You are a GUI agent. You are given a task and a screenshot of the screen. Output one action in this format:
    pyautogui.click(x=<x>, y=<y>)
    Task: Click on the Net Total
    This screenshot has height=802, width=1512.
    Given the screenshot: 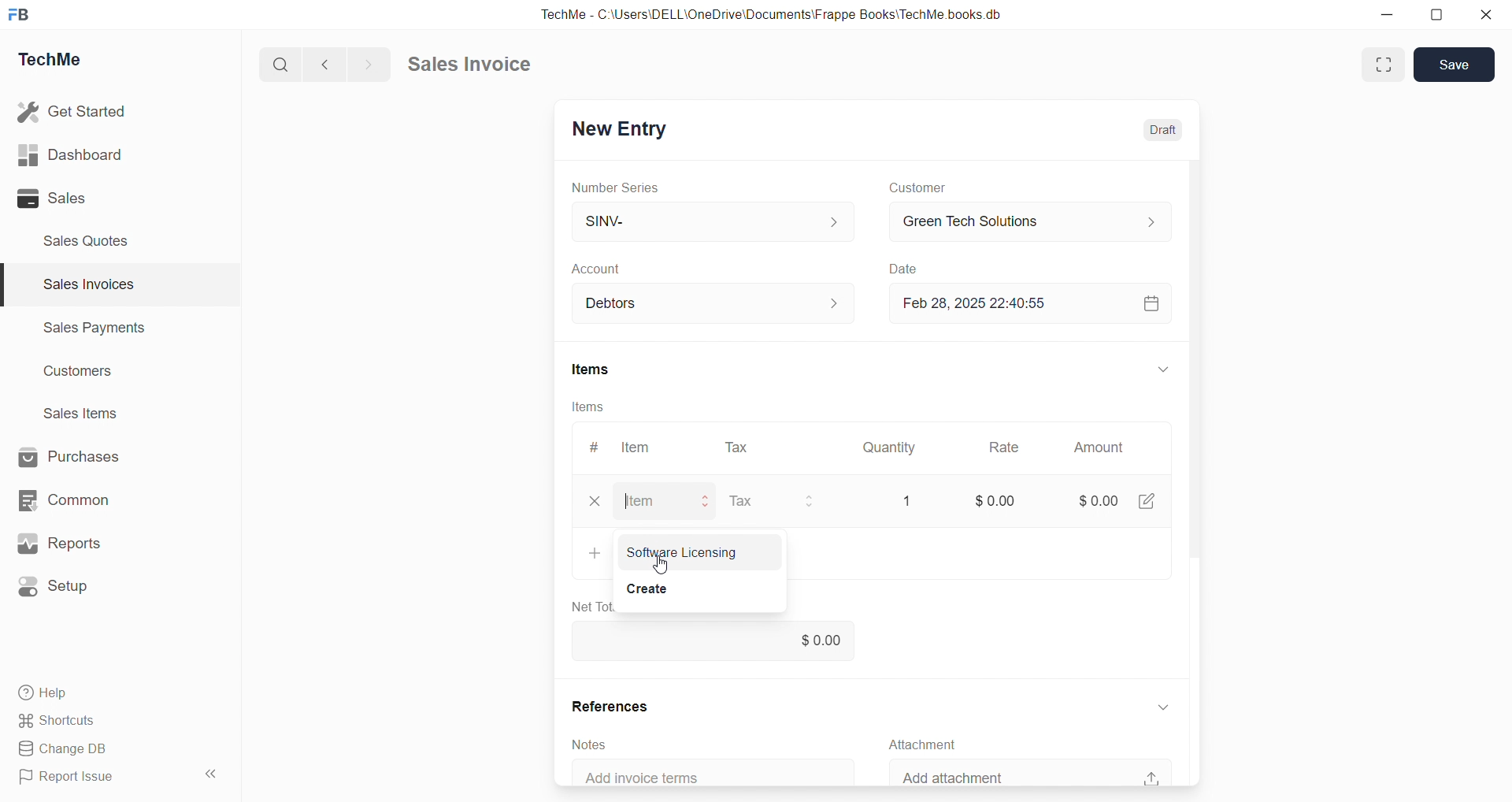 What is the action you would take?
    pyautogui.click(x=588, y=607)
    